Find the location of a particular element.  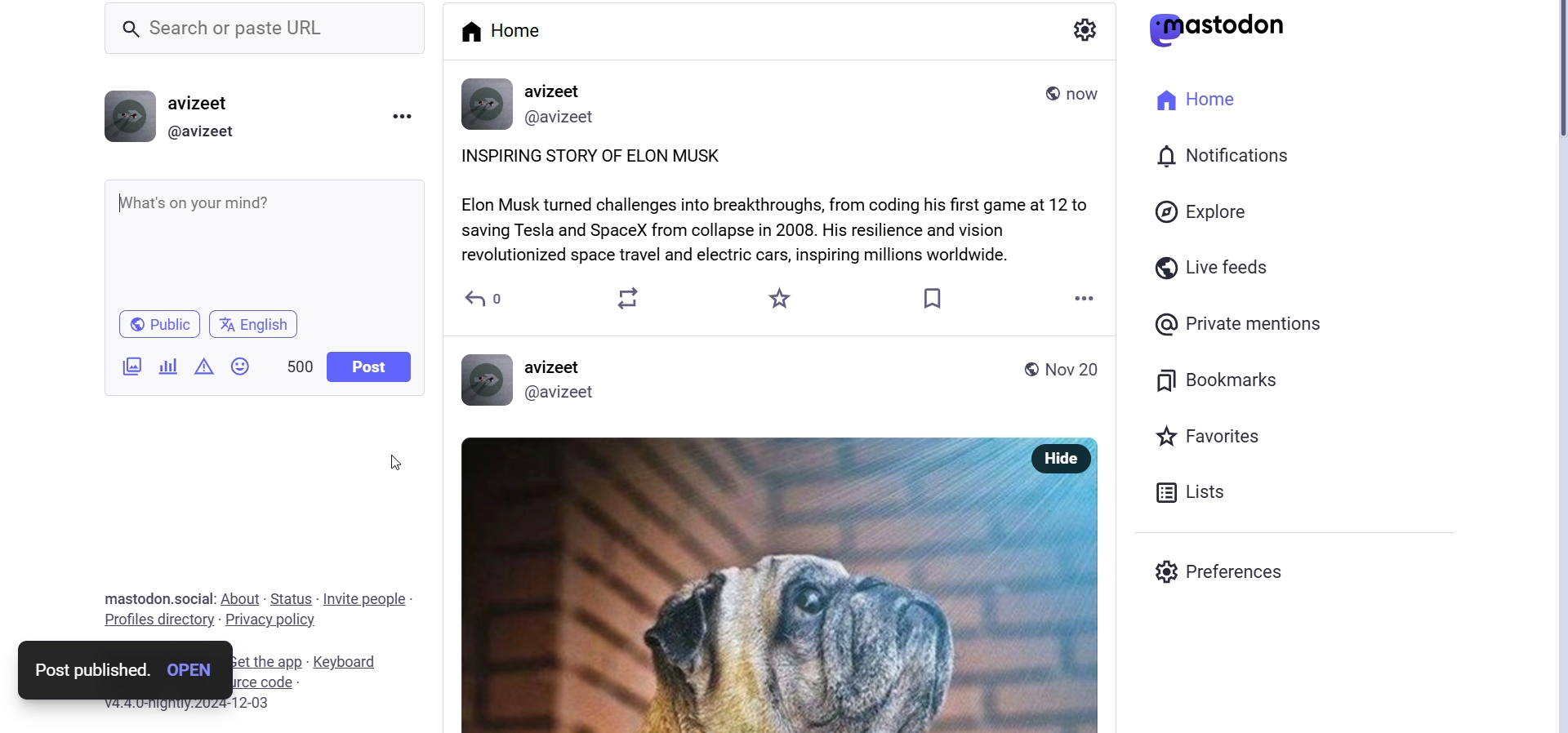

public  is located at coordinates (158, 324).